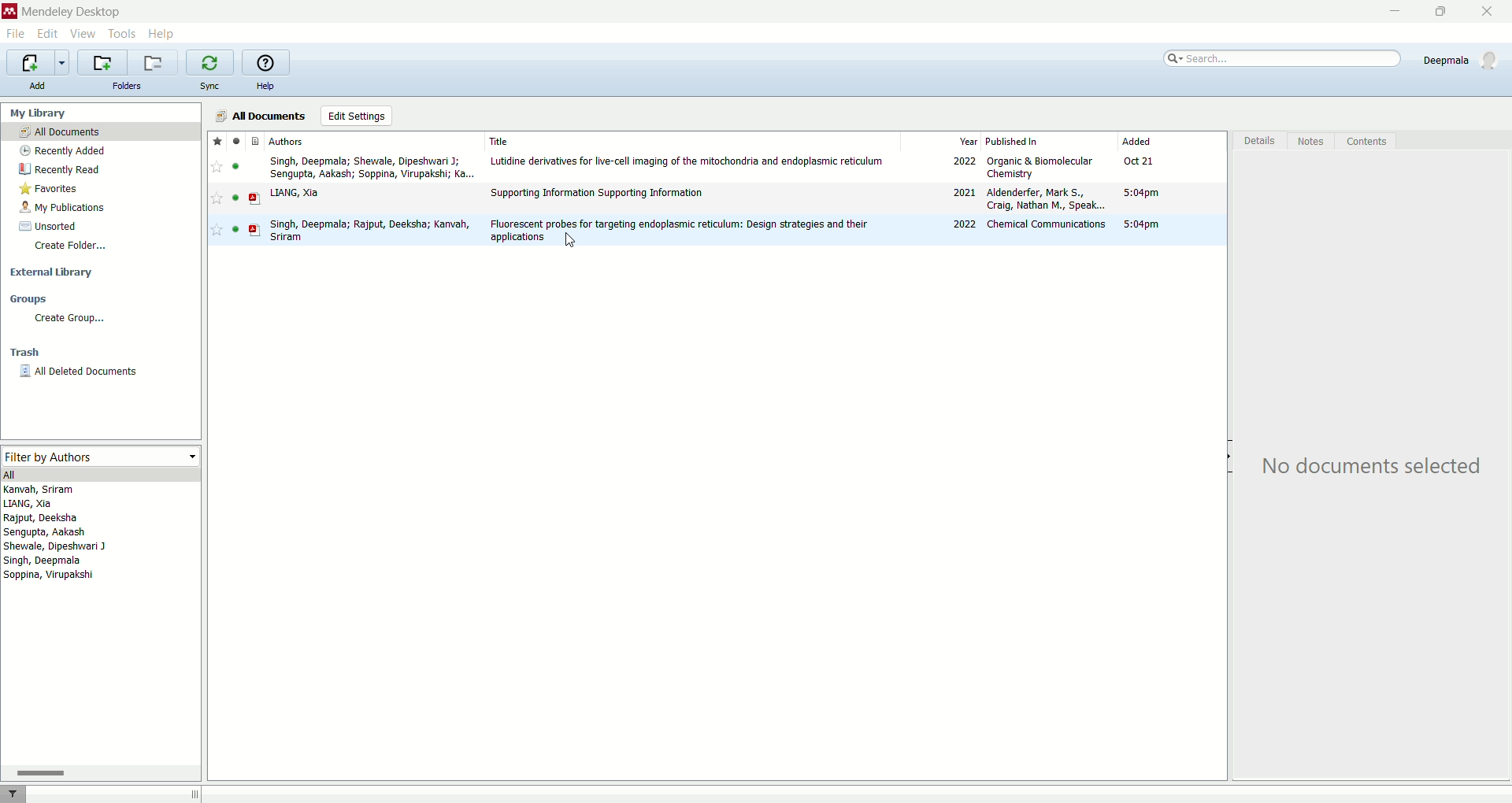  Describe the element at coordinates (59, 169) in the screenshot. I see `recently read` at that location.